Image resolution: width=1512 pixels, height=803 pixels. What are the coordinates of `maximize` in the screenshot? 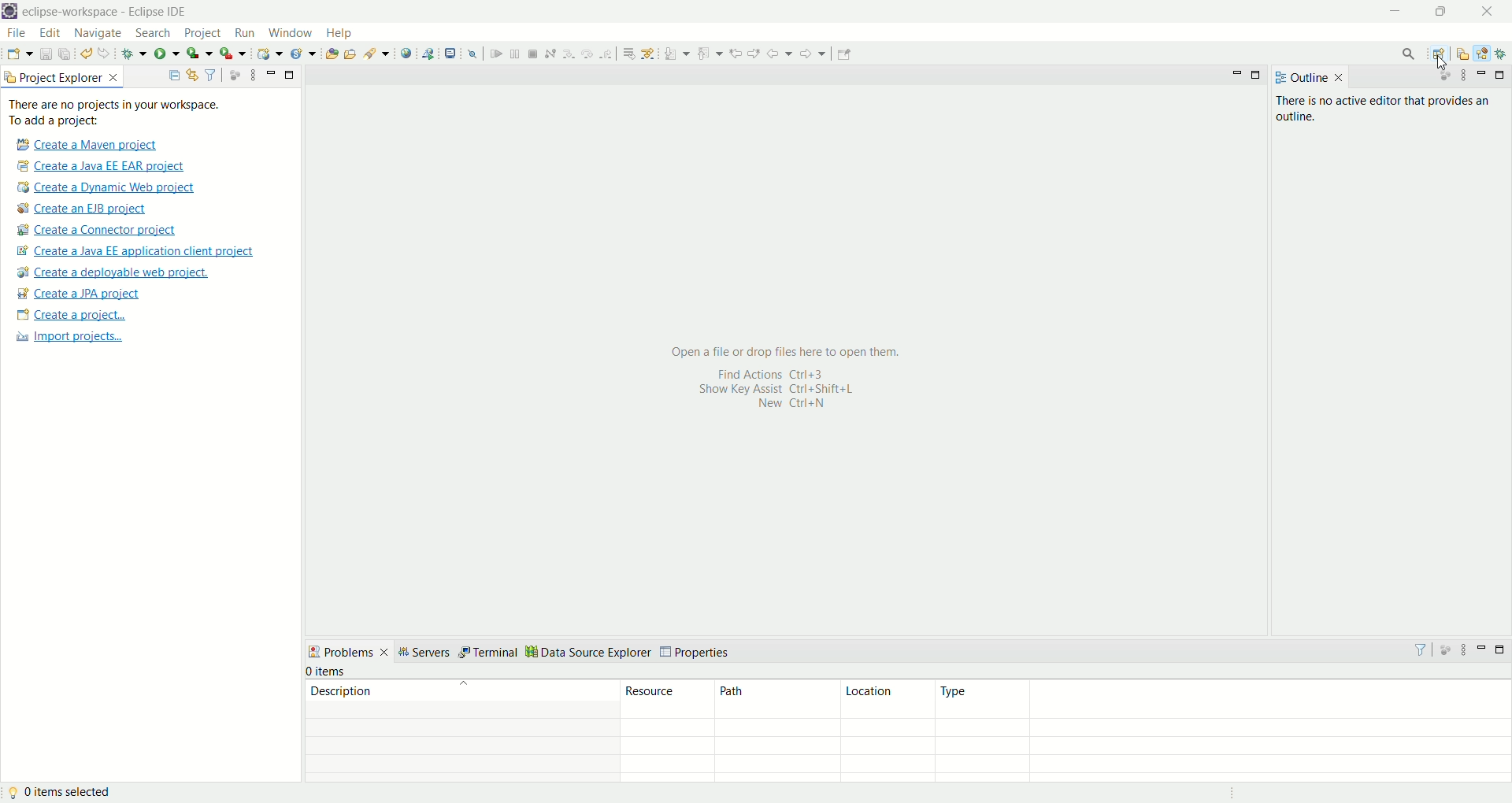 It's located at (1442, 13).